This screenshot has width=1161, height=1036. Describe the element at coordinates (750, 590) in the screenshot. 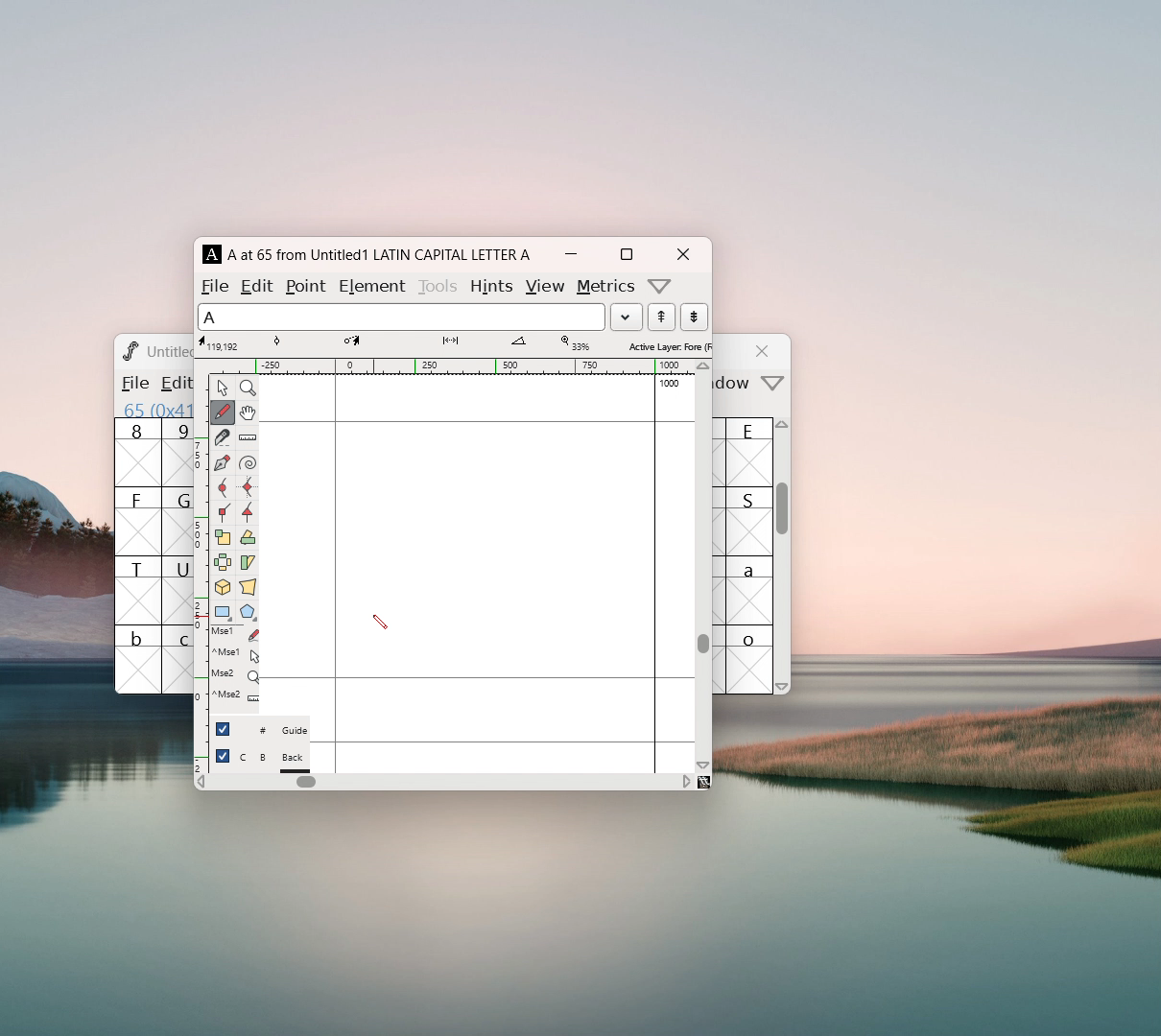

I see `a` at that location.